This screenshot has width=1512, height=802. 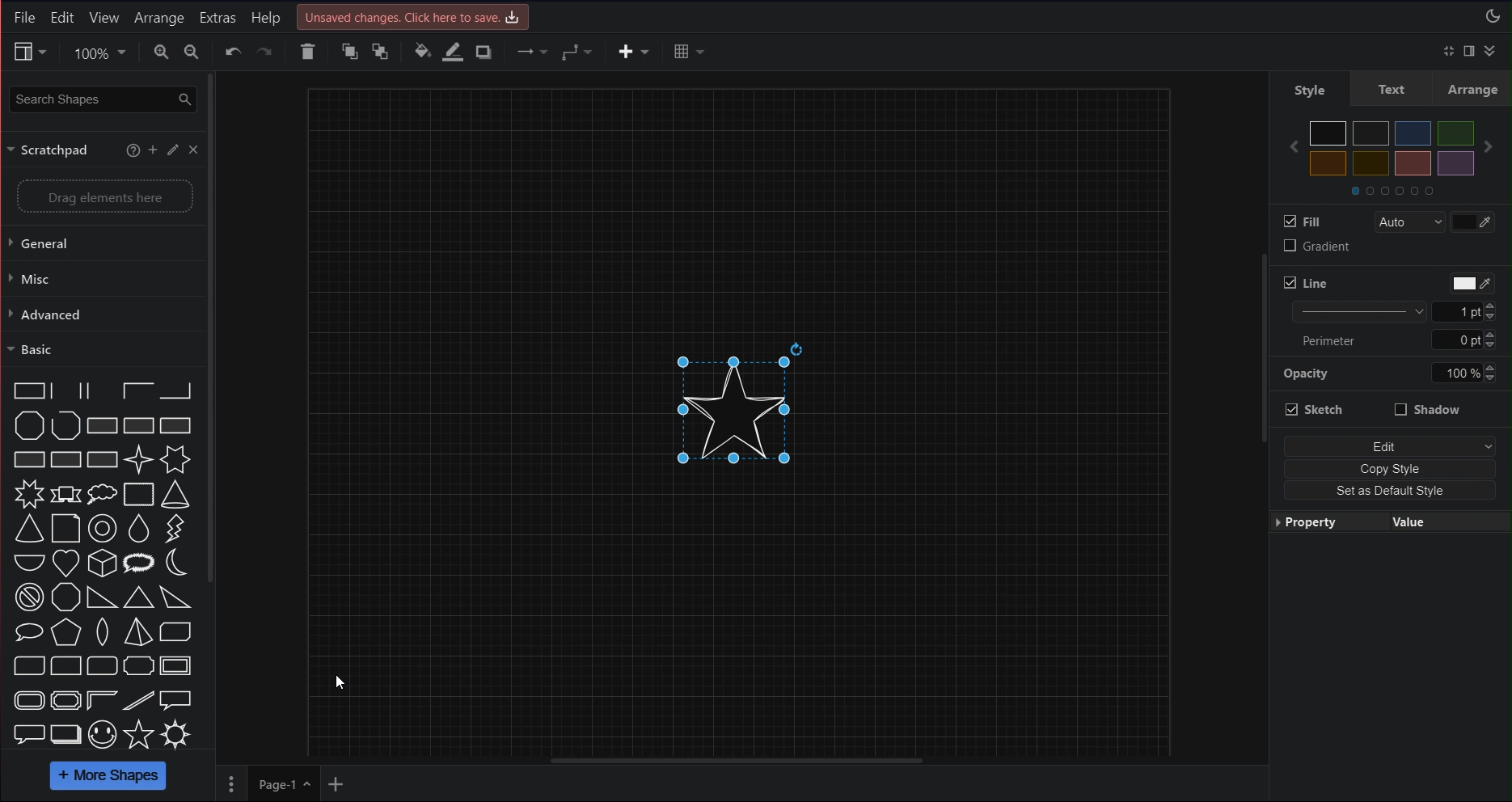 What do you see at coordinates (140, 564) in the screenshot?
I see `loud callout` at bounding box center [140, 564].